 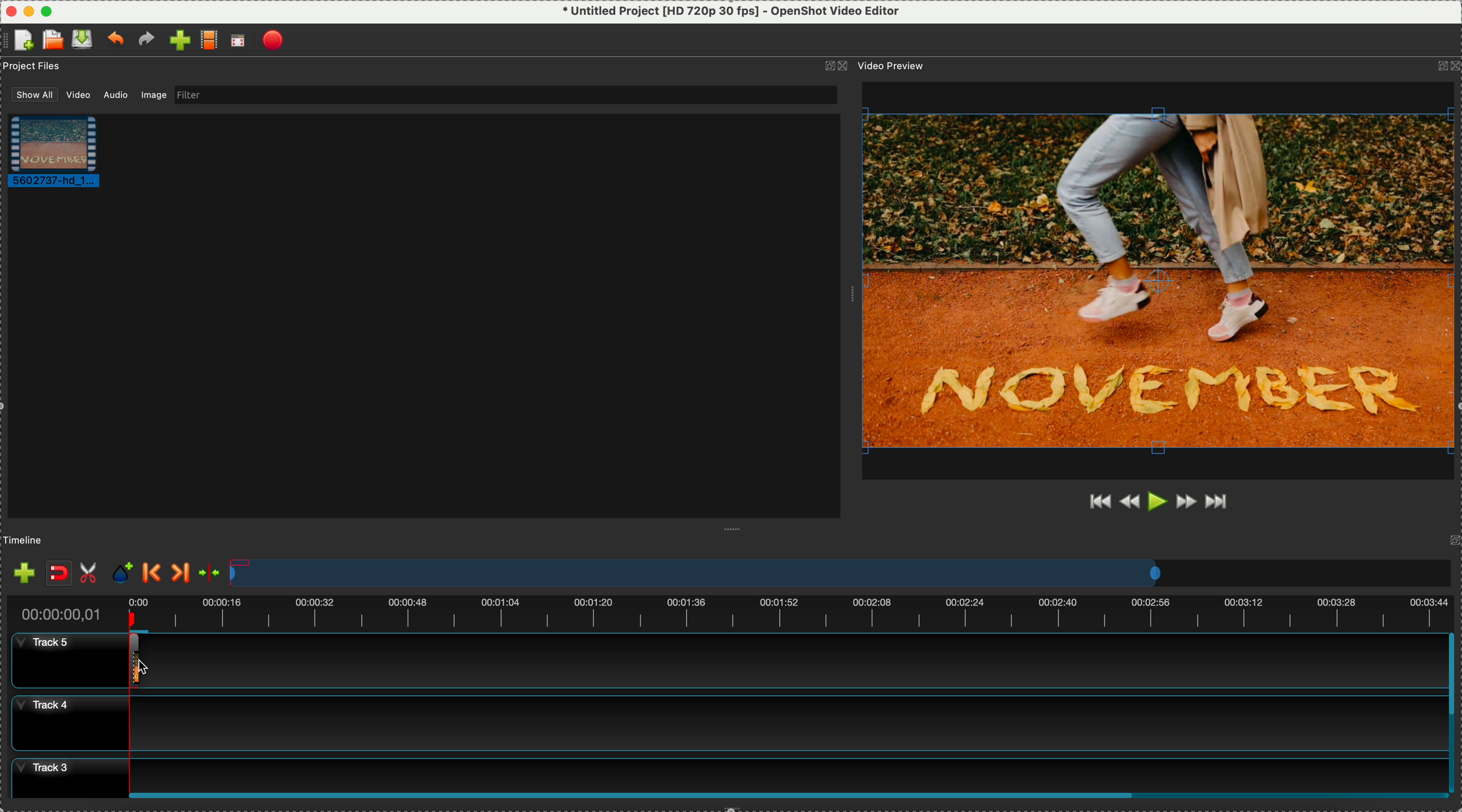 What do you see at coordinates (176, 40) in the screenshot?
I see `import file` at bounding box center [176, 40].